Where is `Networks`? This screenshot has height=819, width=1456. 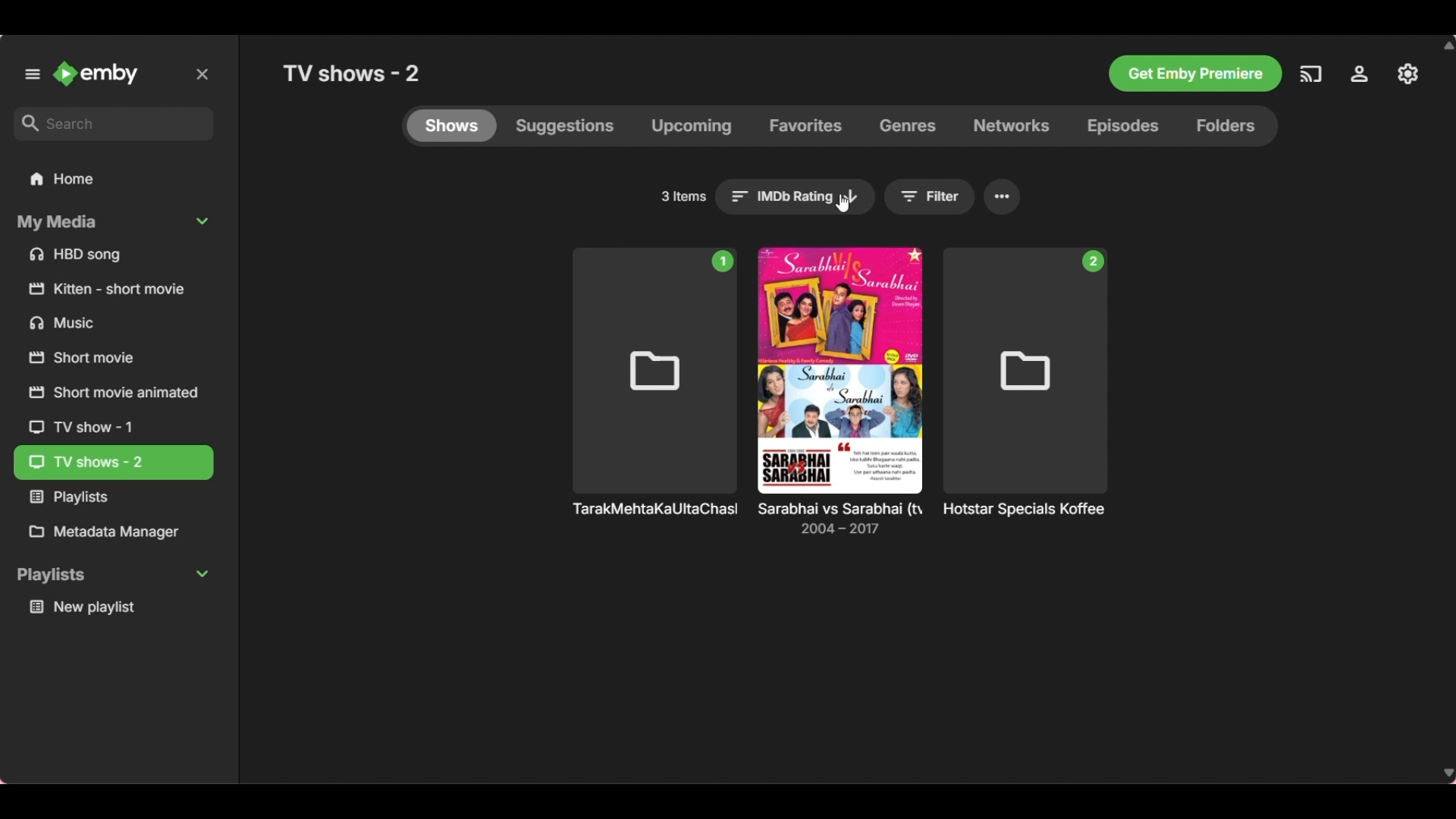 Networks is located at coordinates (1011, 126).